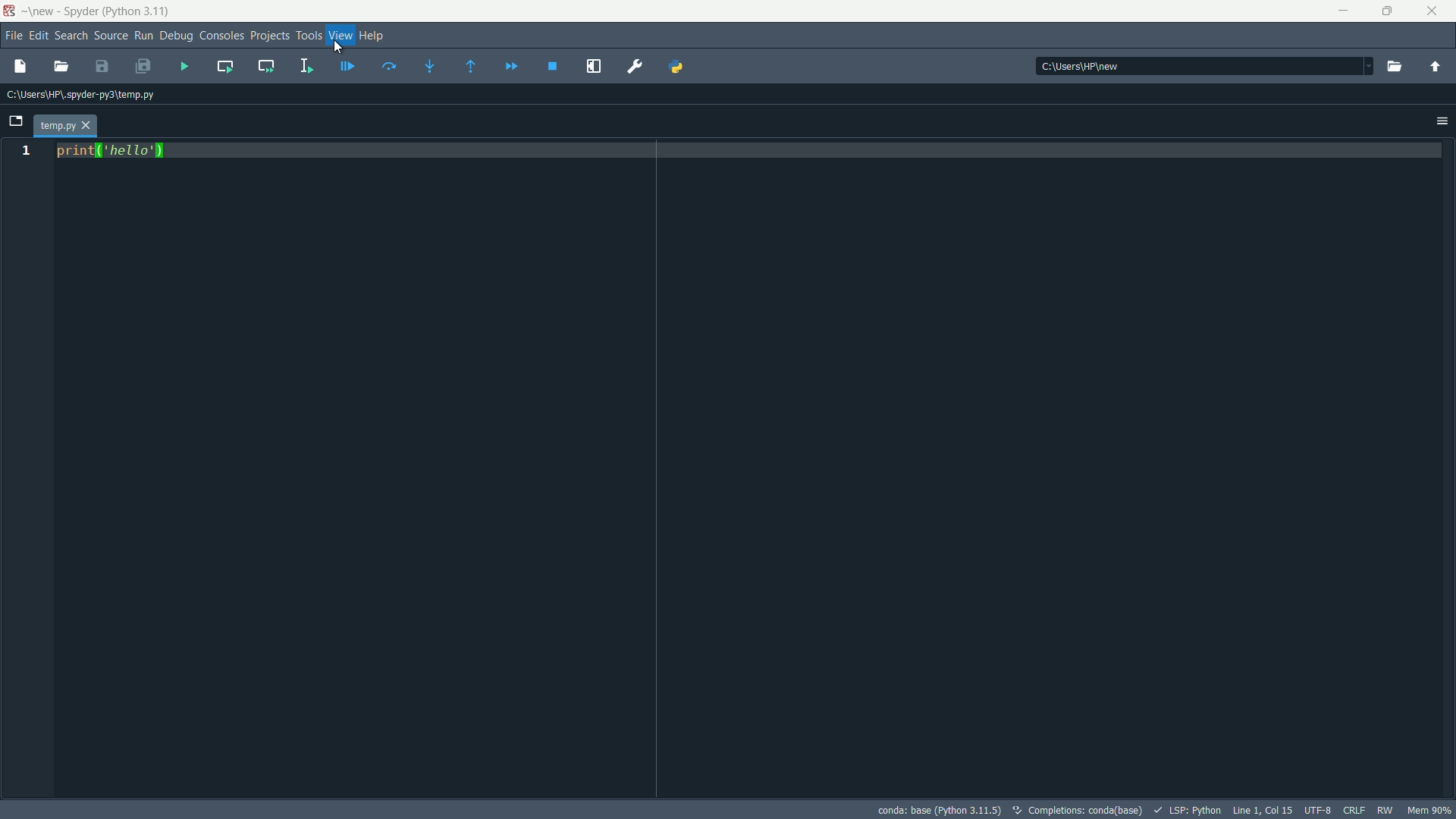 This screenshot has width=1456, height=819. Describe the element at coordinates (635, 67) in the screenshot. I see `preferences` at that location.